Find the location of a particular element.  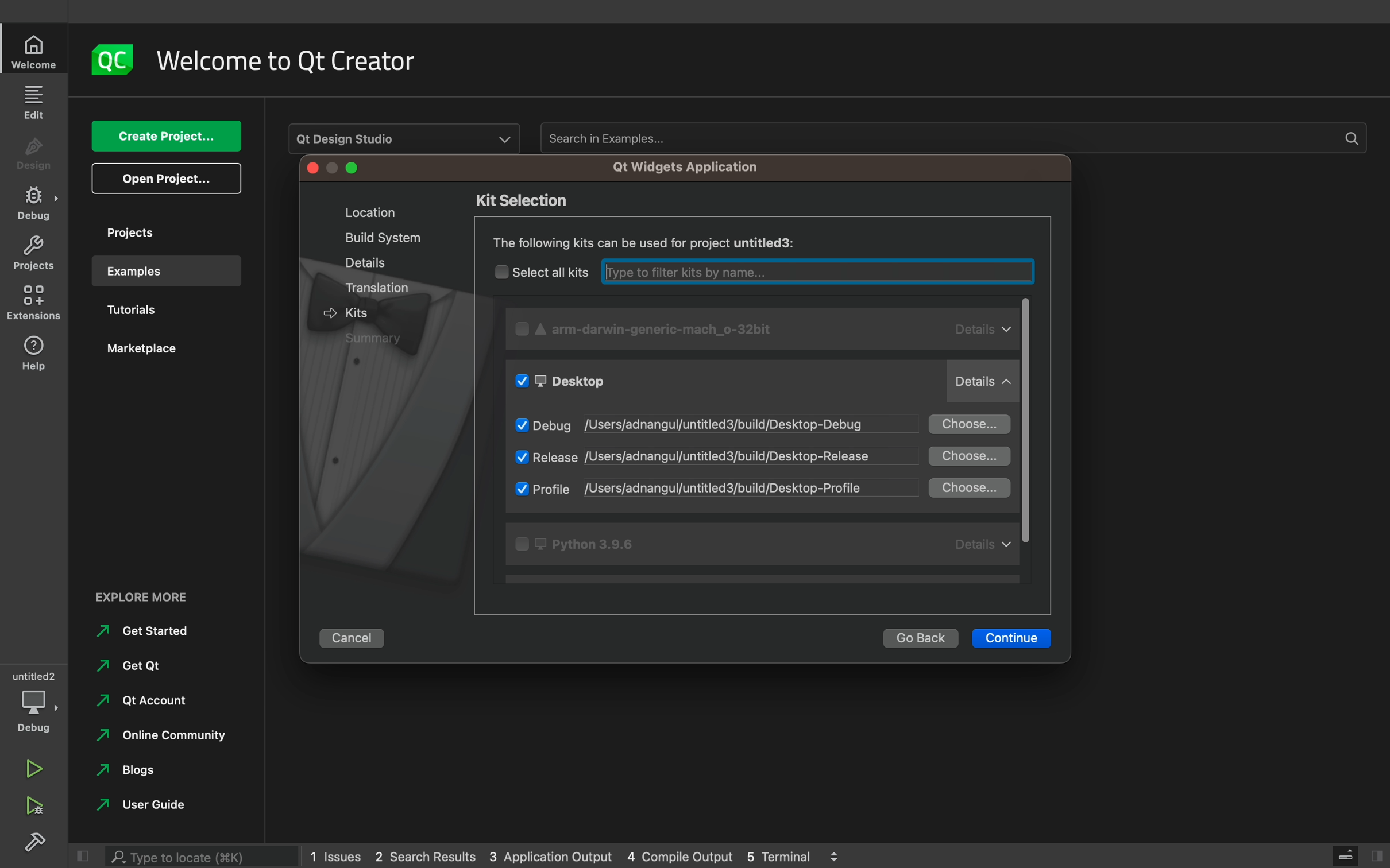

select all kits: is located at coordinates (550, 271).